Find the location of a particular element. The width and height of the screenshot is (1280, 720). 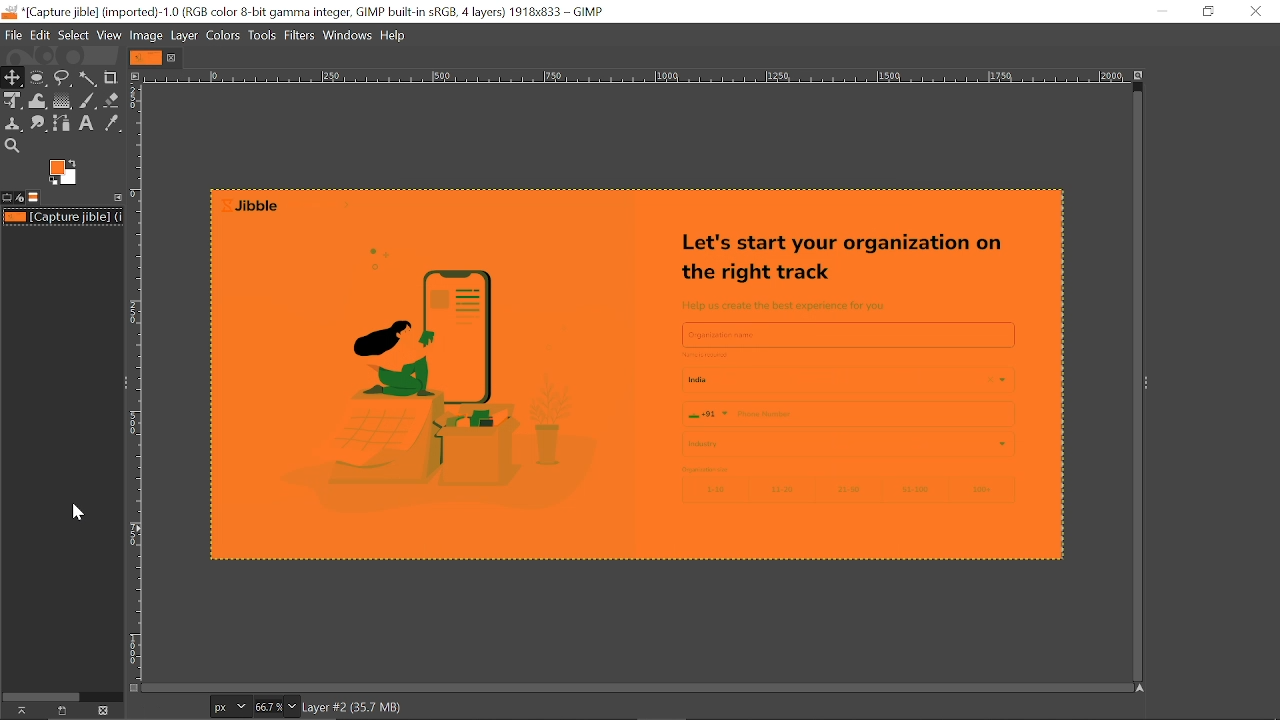

New layer added is located at coordinates (646, 375).